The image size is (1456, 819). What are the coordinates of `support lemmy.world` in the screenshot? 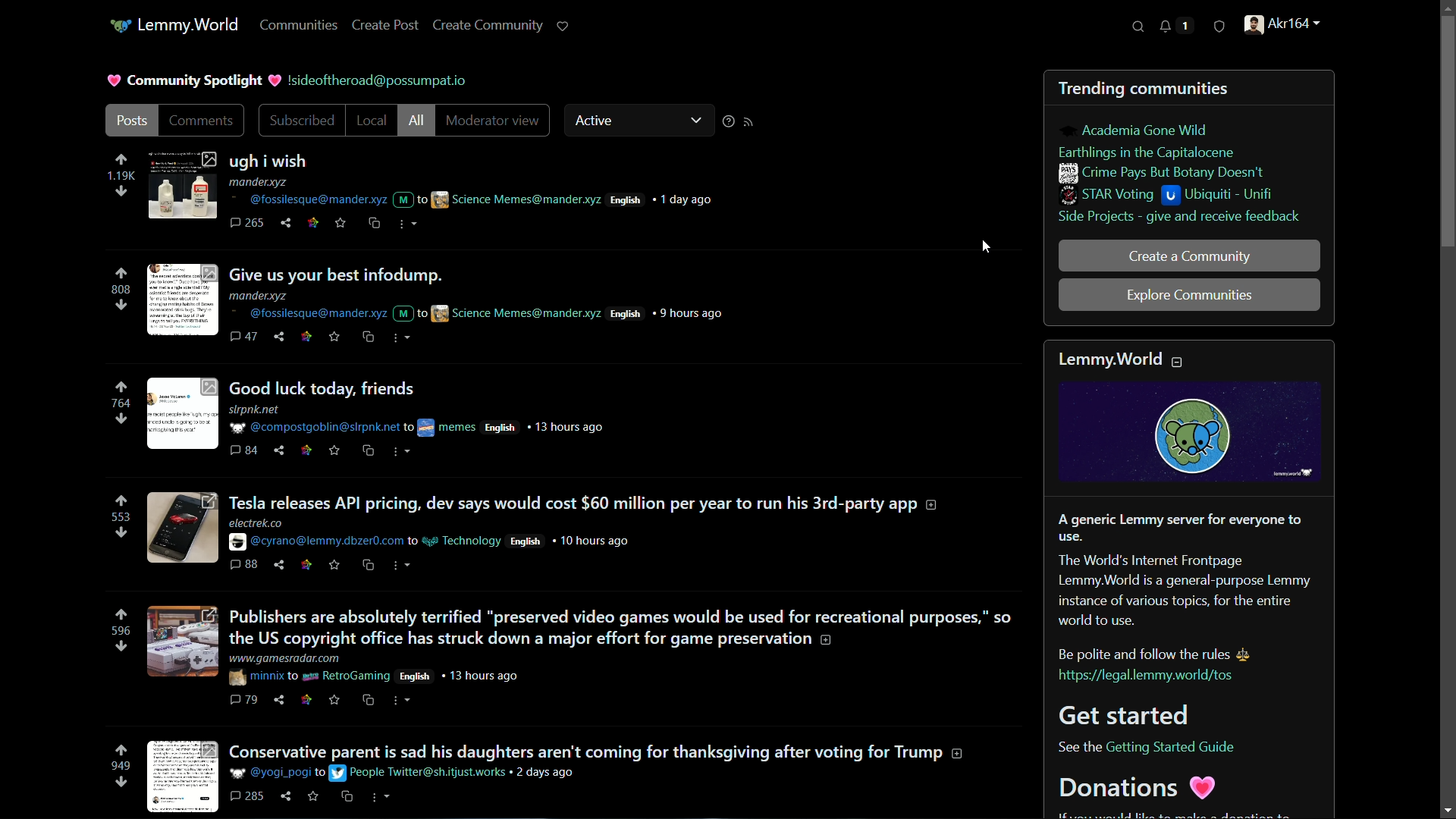 It's located at (565, 27).